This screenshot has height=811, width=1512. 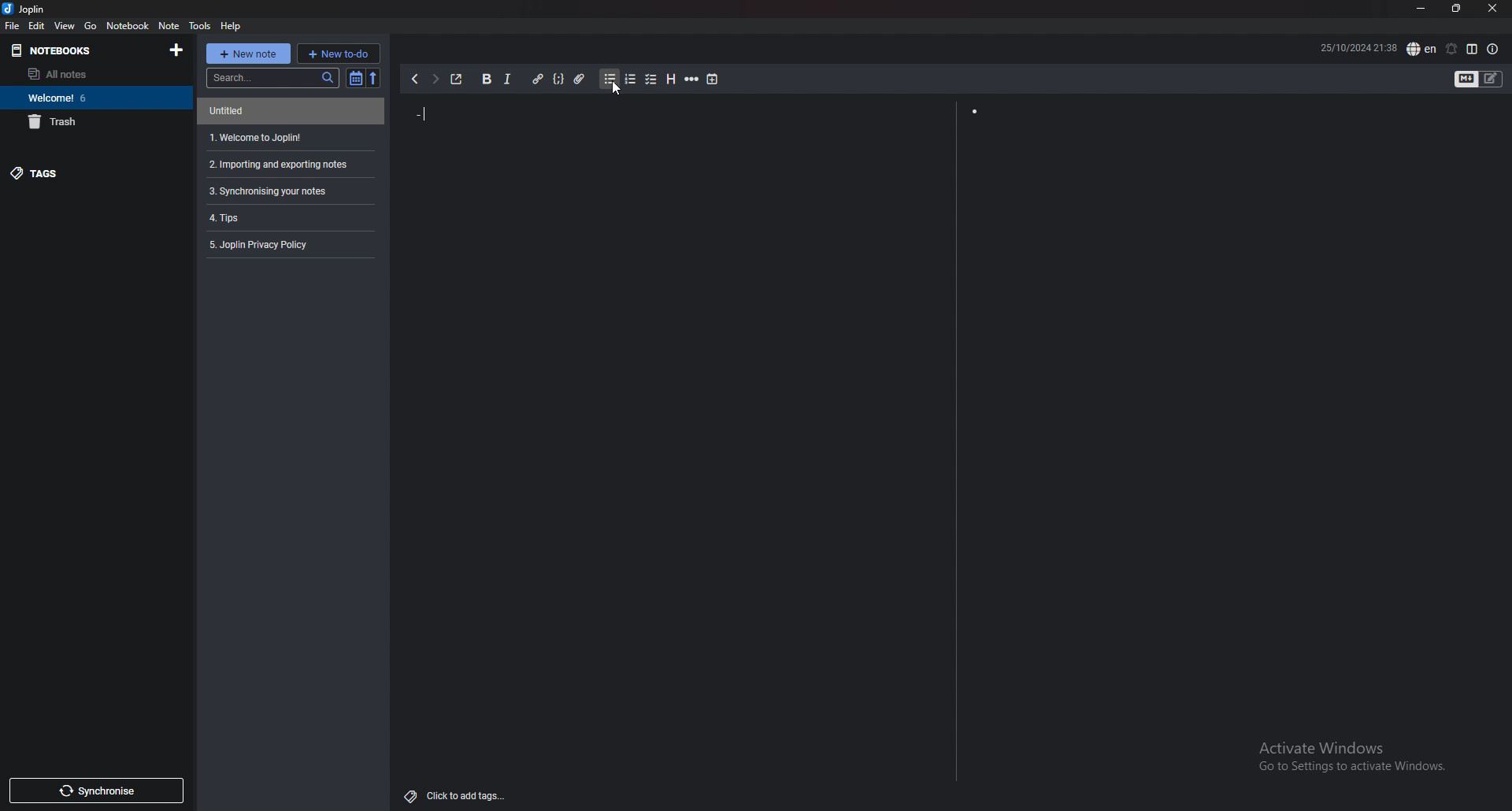 I want to click on Tips, so click(x=225, y=220).